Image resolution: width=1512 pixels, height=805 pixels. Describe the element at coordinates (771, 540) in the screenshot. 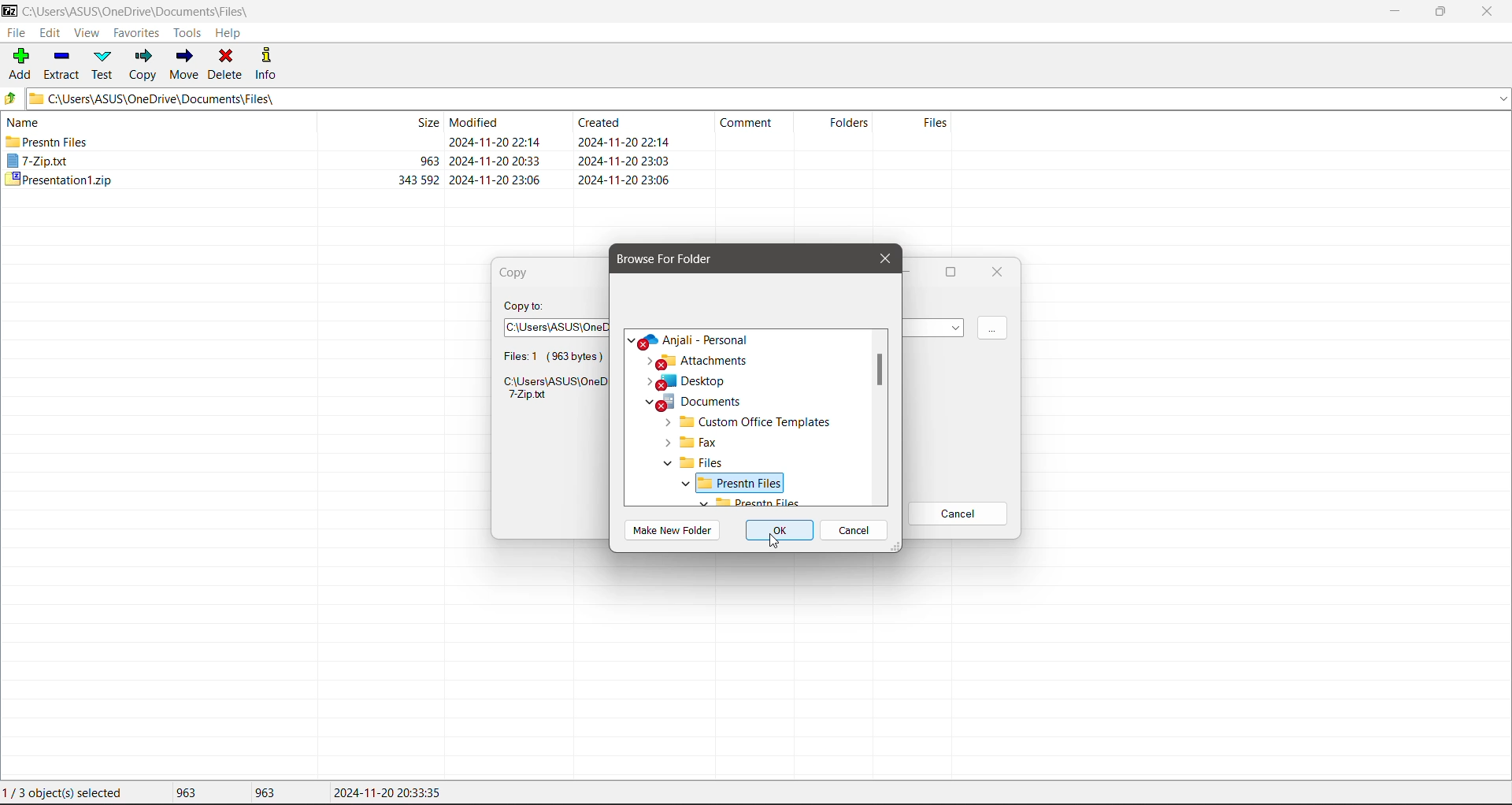

I see `Cursor` at that location.